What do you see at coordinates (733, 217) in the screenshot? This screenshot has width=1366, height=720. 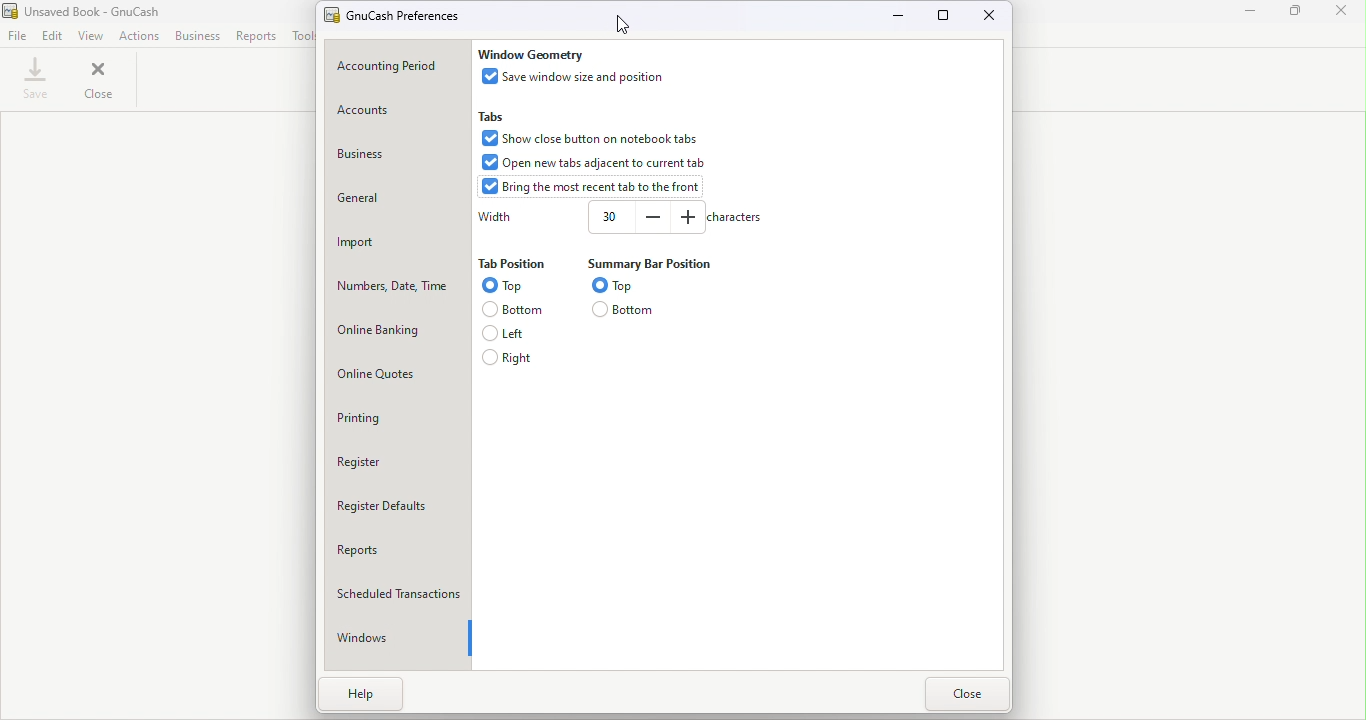 I see `Characters` at bounding box center [733, 217].